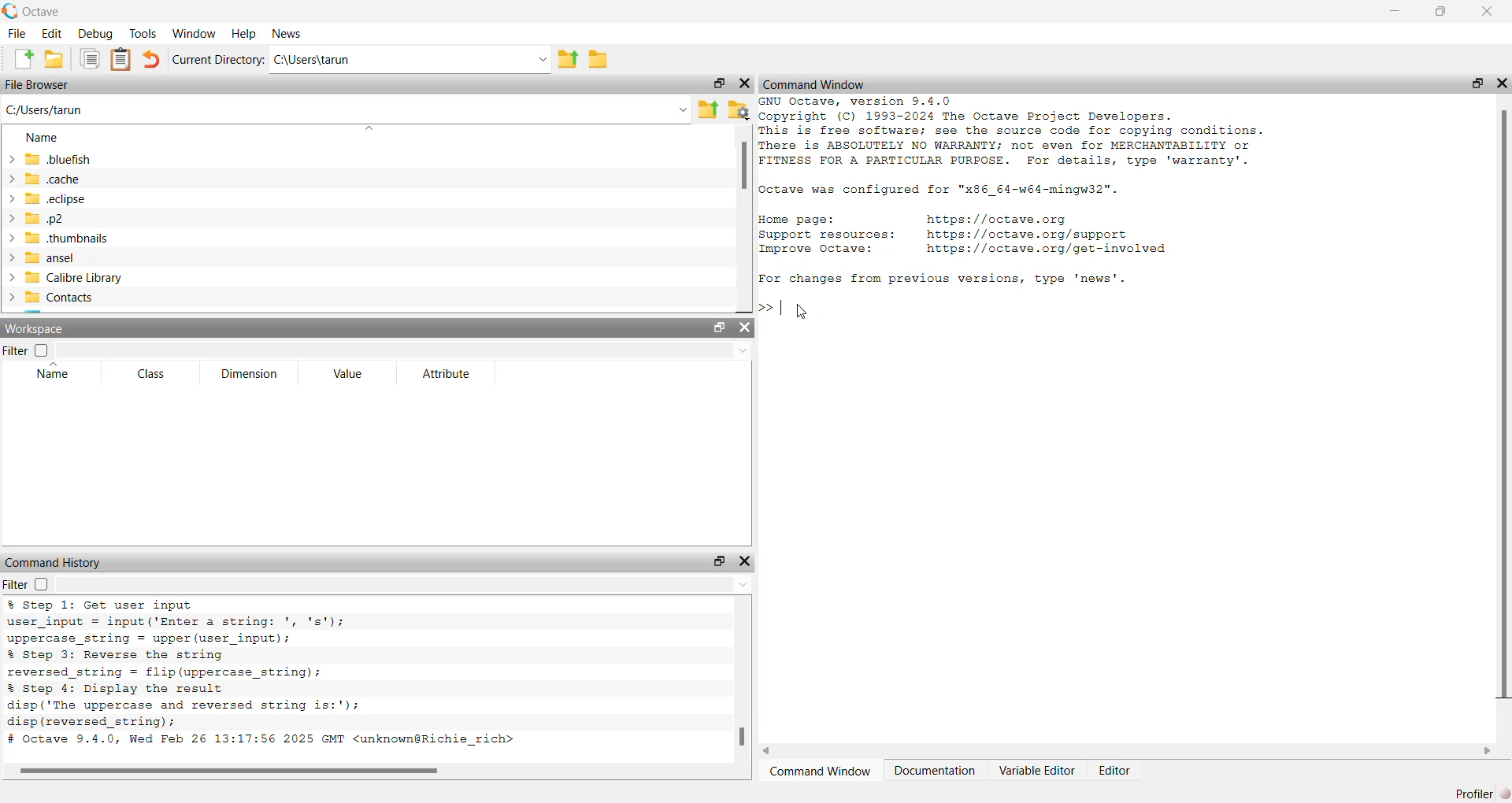 The image size is (1512, 803). I want to click on minimize, so click(1397, 12).